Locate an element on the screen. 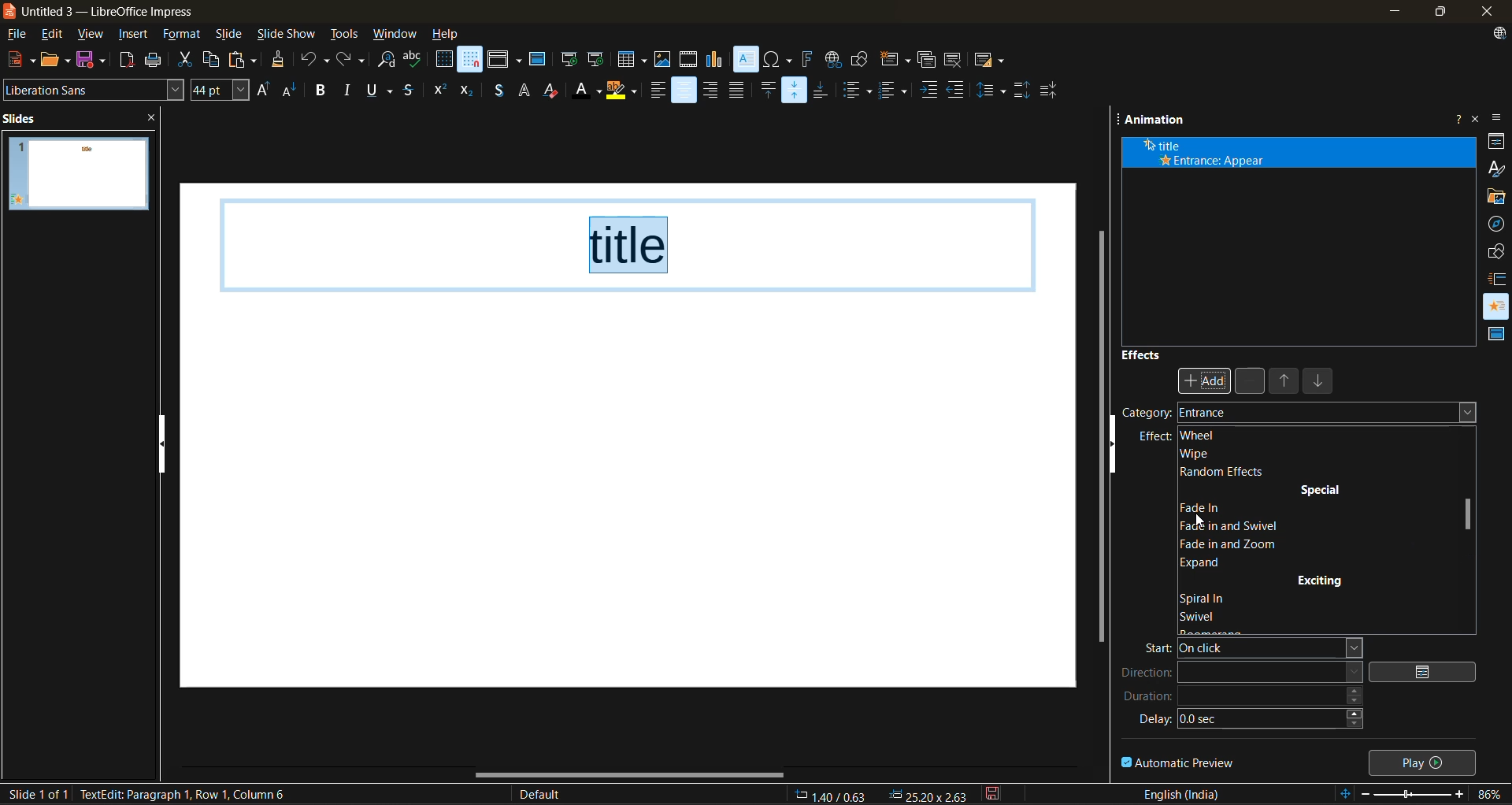 The height and width of the screenshot is (805, 1512). decrease paragraph spacing is located at coordinates (1050, 91).